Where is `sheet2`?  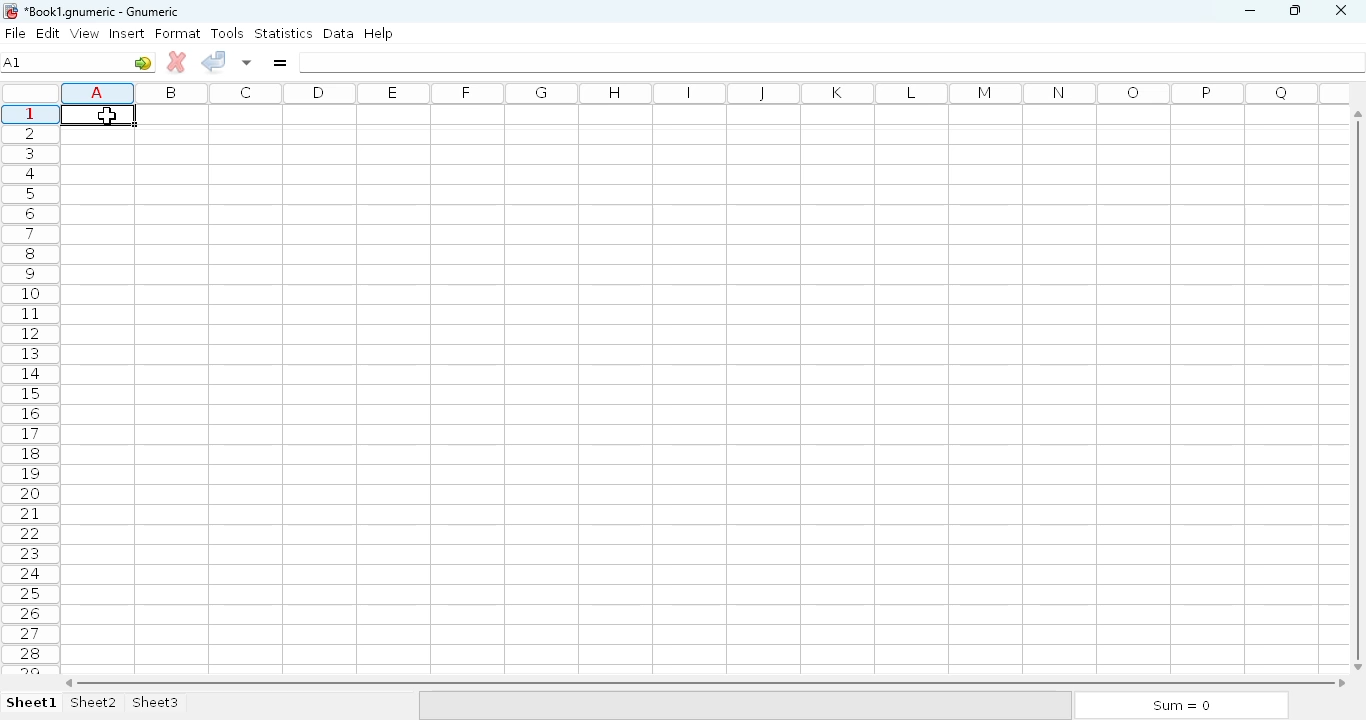
sheet2 is located at coordinates (95, 703).